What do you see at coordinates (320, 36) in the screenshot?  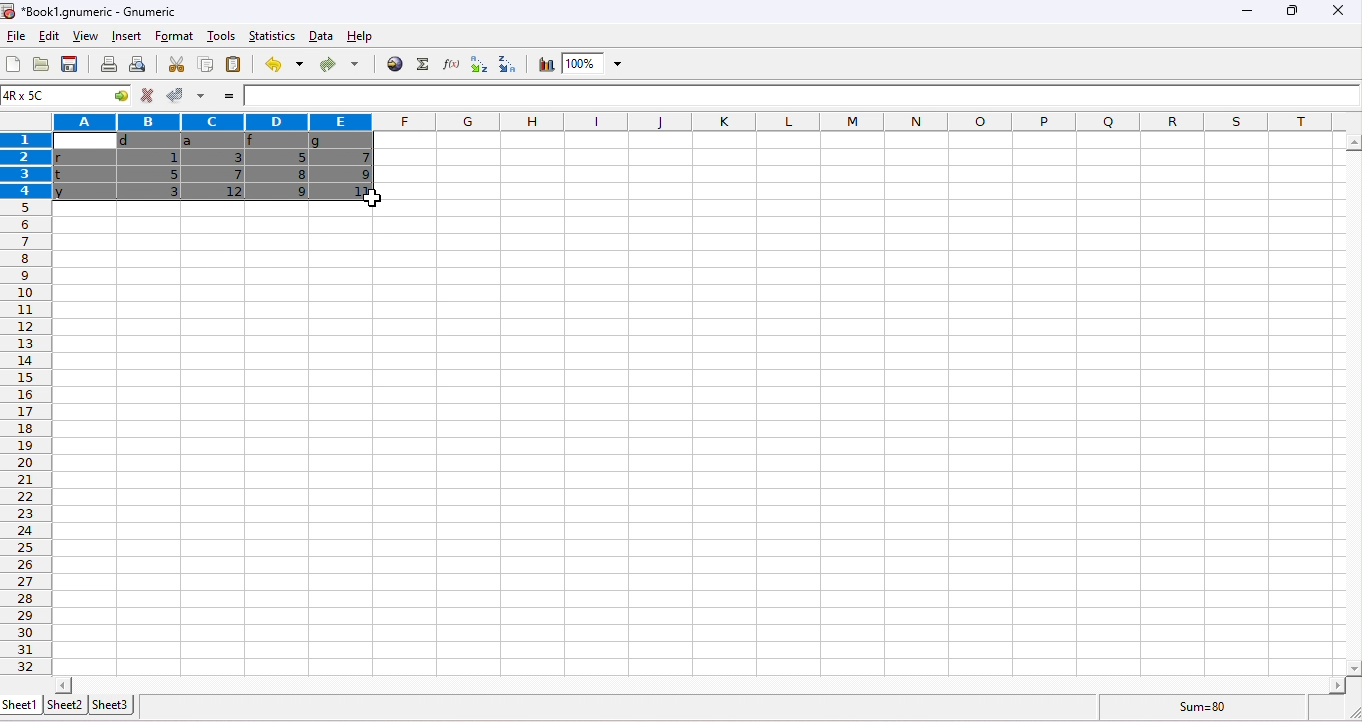 I see `data` at bounding box center [320, 36].